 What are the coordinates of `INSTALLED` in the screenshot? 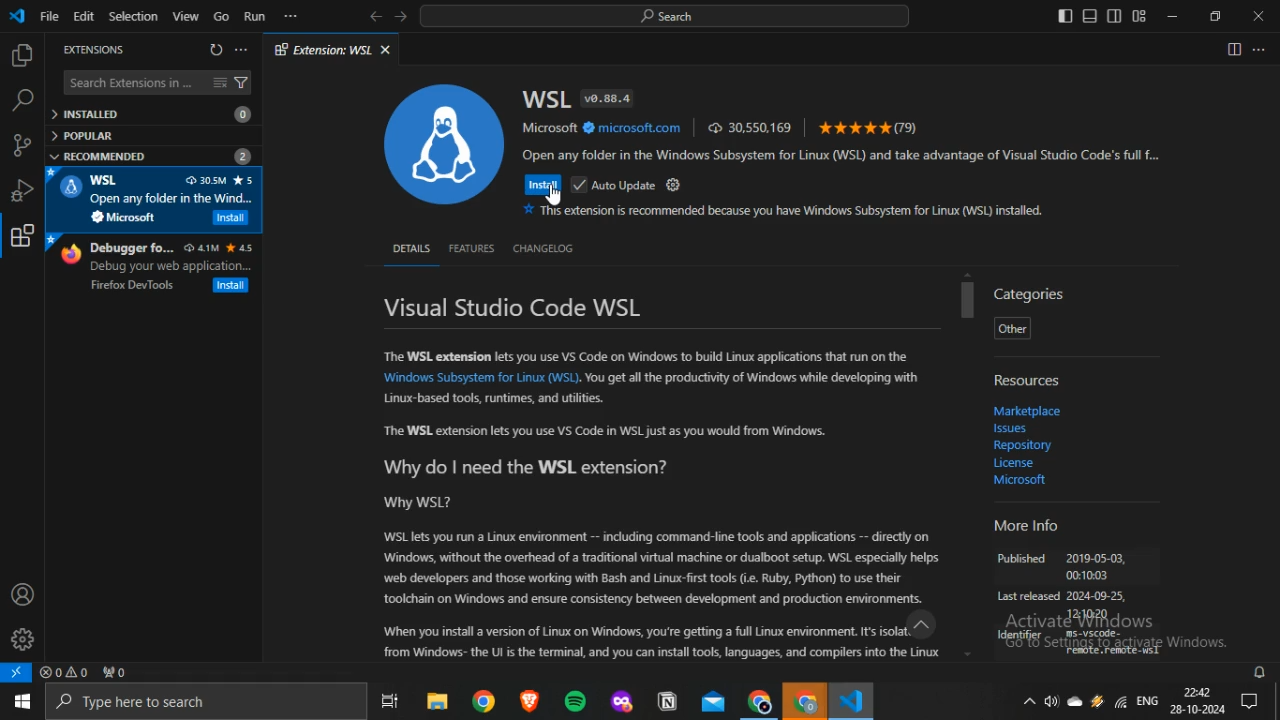 It's located at (151, 114).